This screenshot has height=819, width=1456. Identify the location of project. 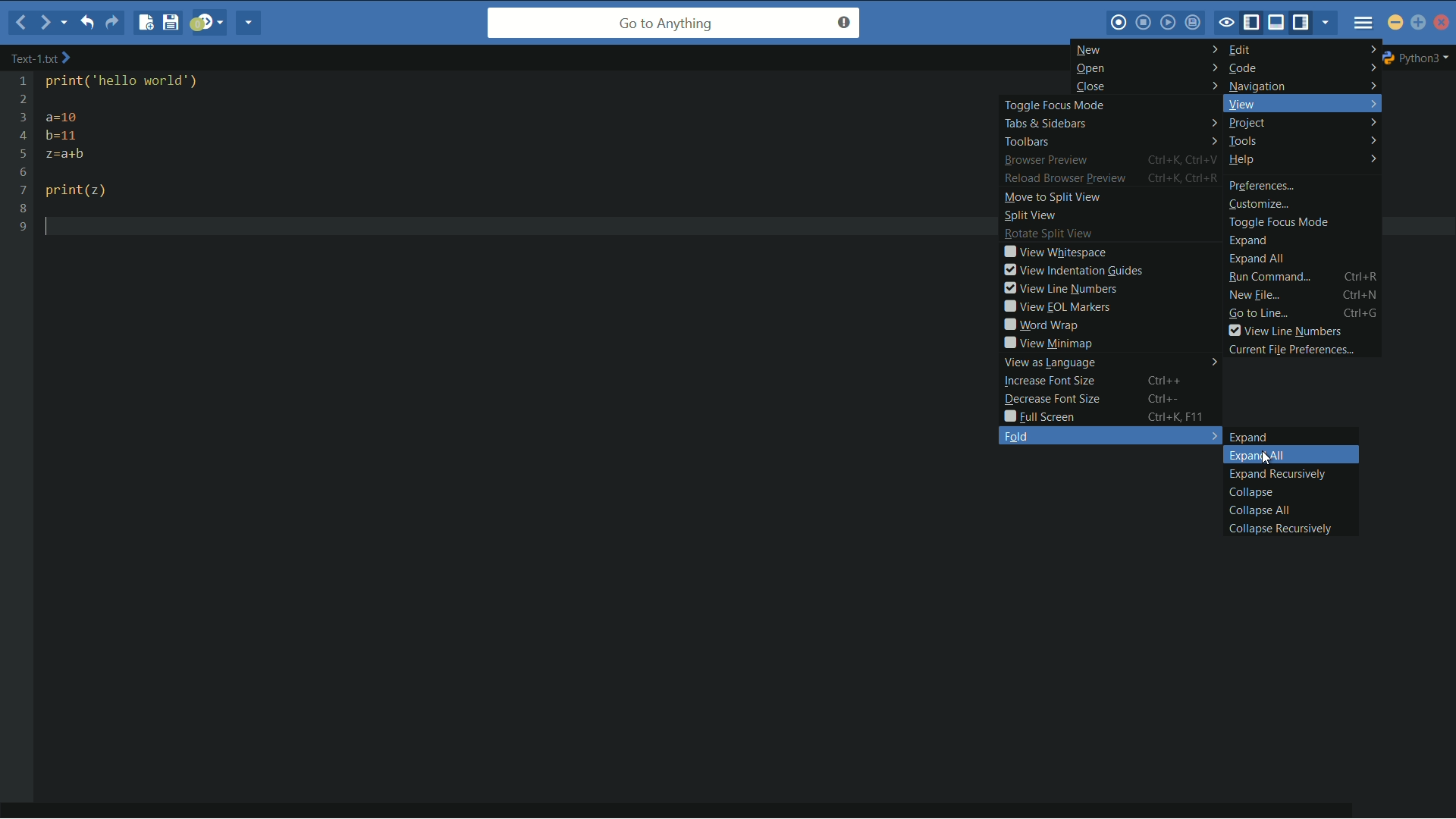
(1304, 124).